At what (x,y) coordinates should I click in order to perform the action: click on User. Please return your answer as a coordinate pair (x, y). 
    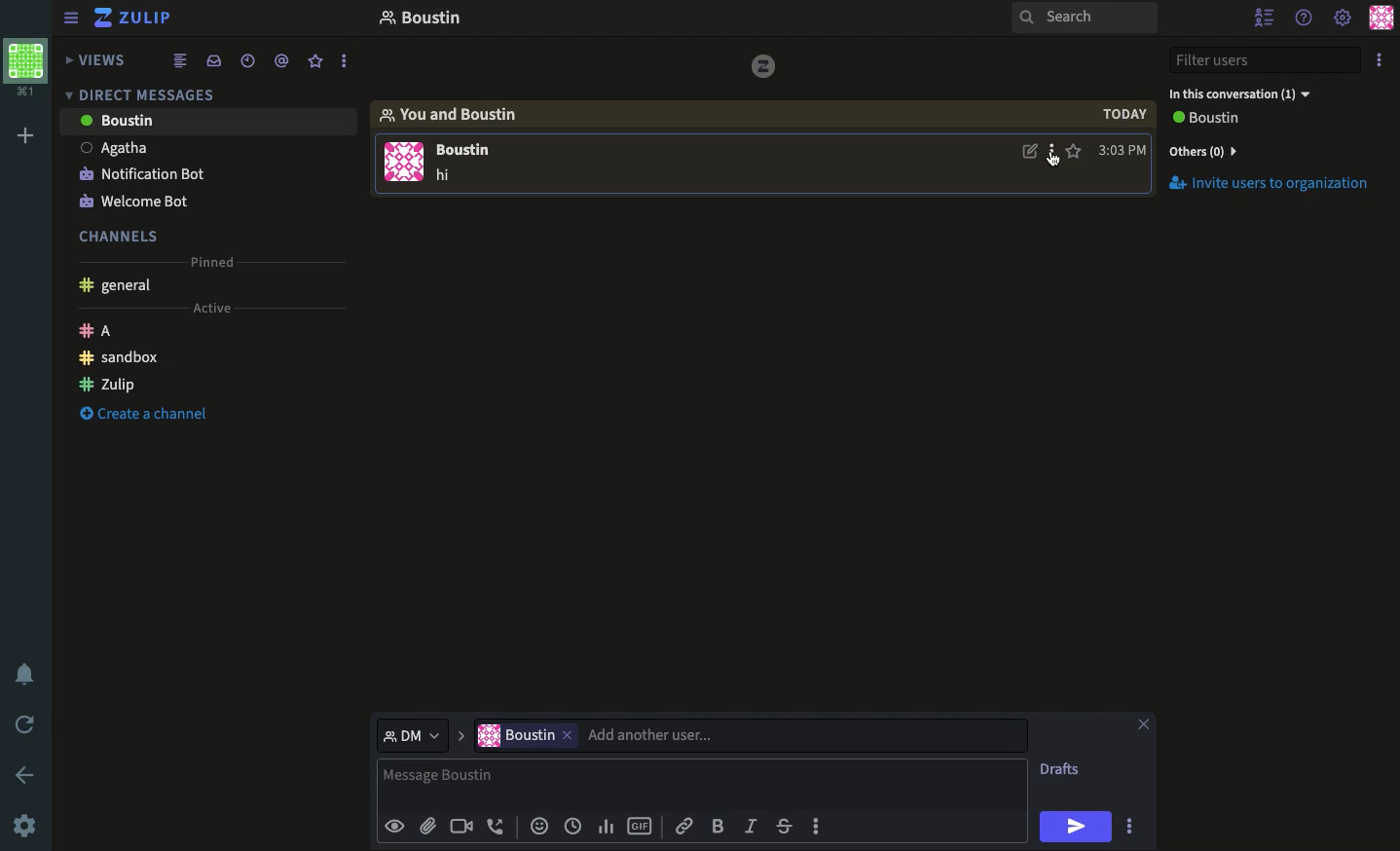
    Looking at the image, I should click on (749, 734).